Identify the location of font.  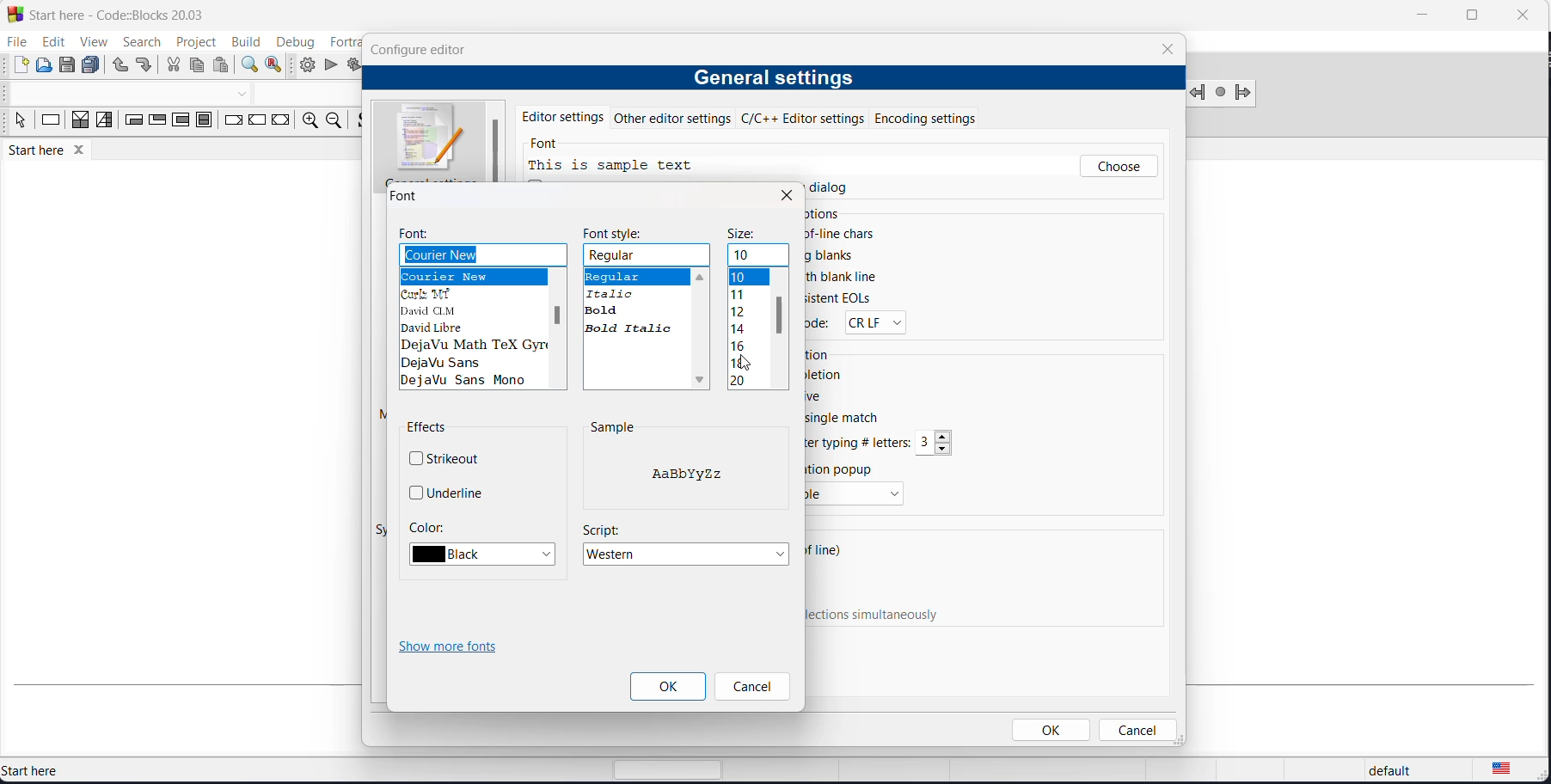
(419, 234).